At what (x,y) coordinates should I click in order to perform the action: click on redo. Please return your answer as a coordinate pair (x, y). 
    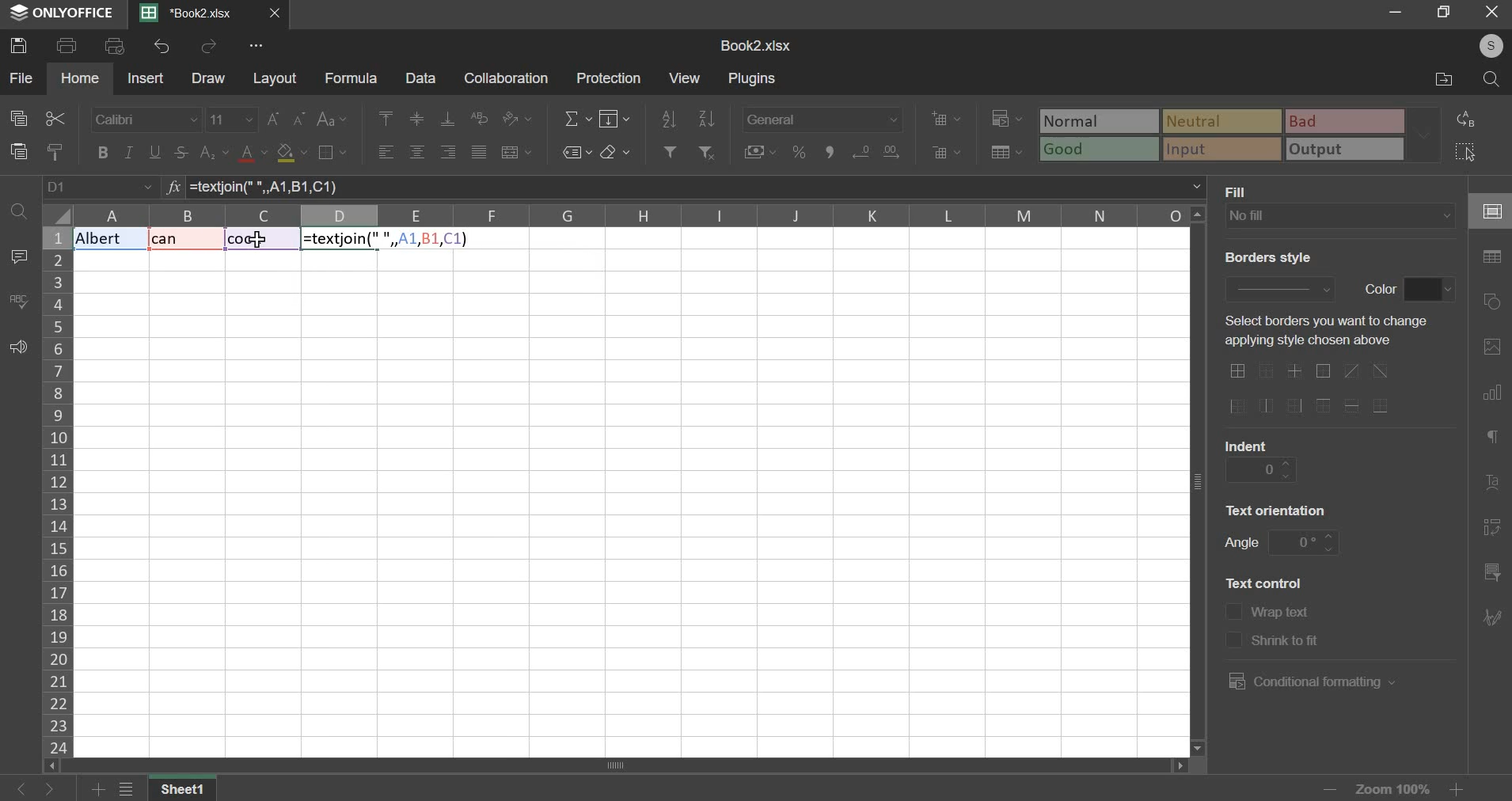
    Looking at the image, I should click on (211, 47).